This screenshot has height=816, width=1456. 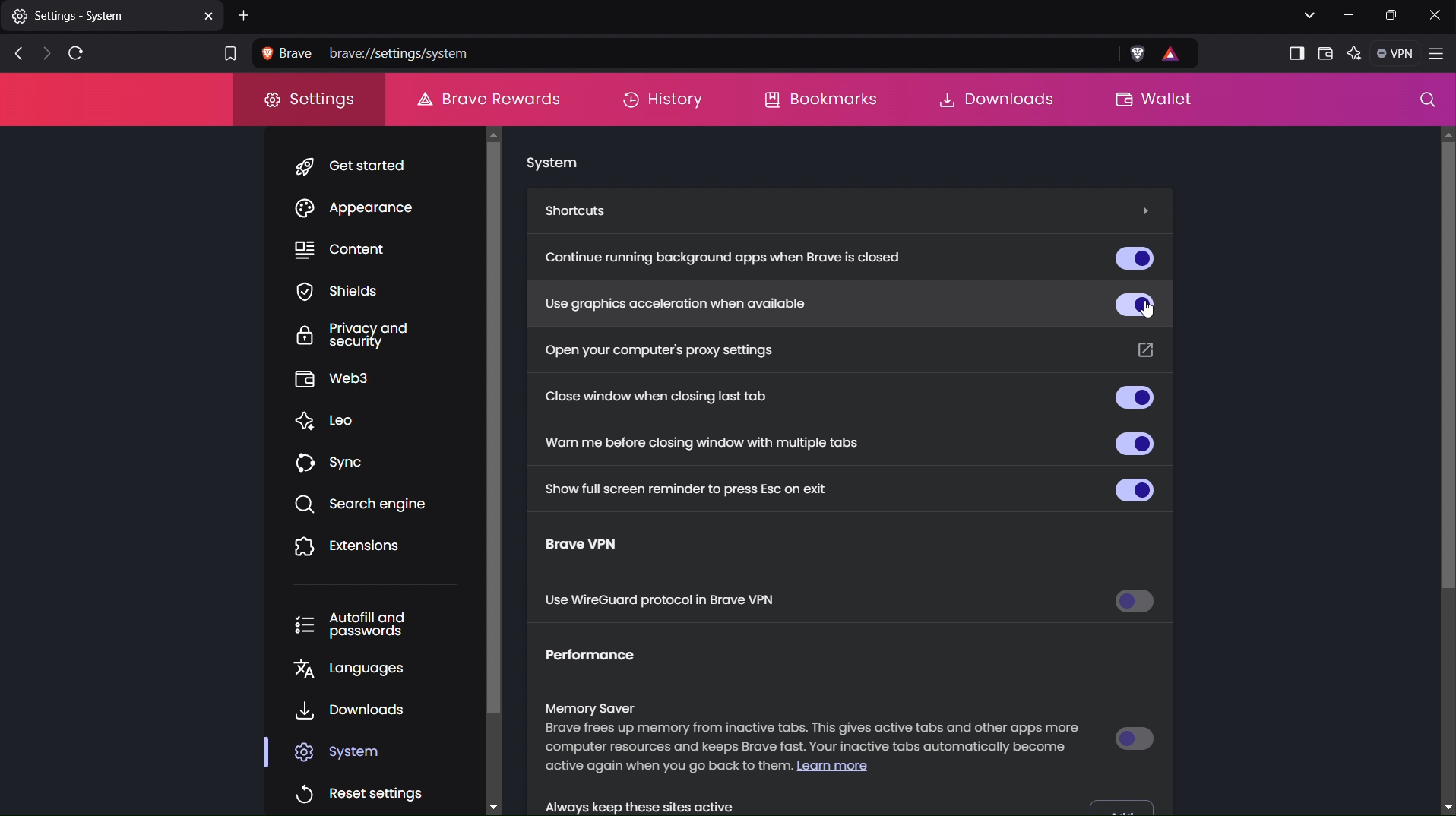 I want to click on Button, so click(x=1131, y=256).